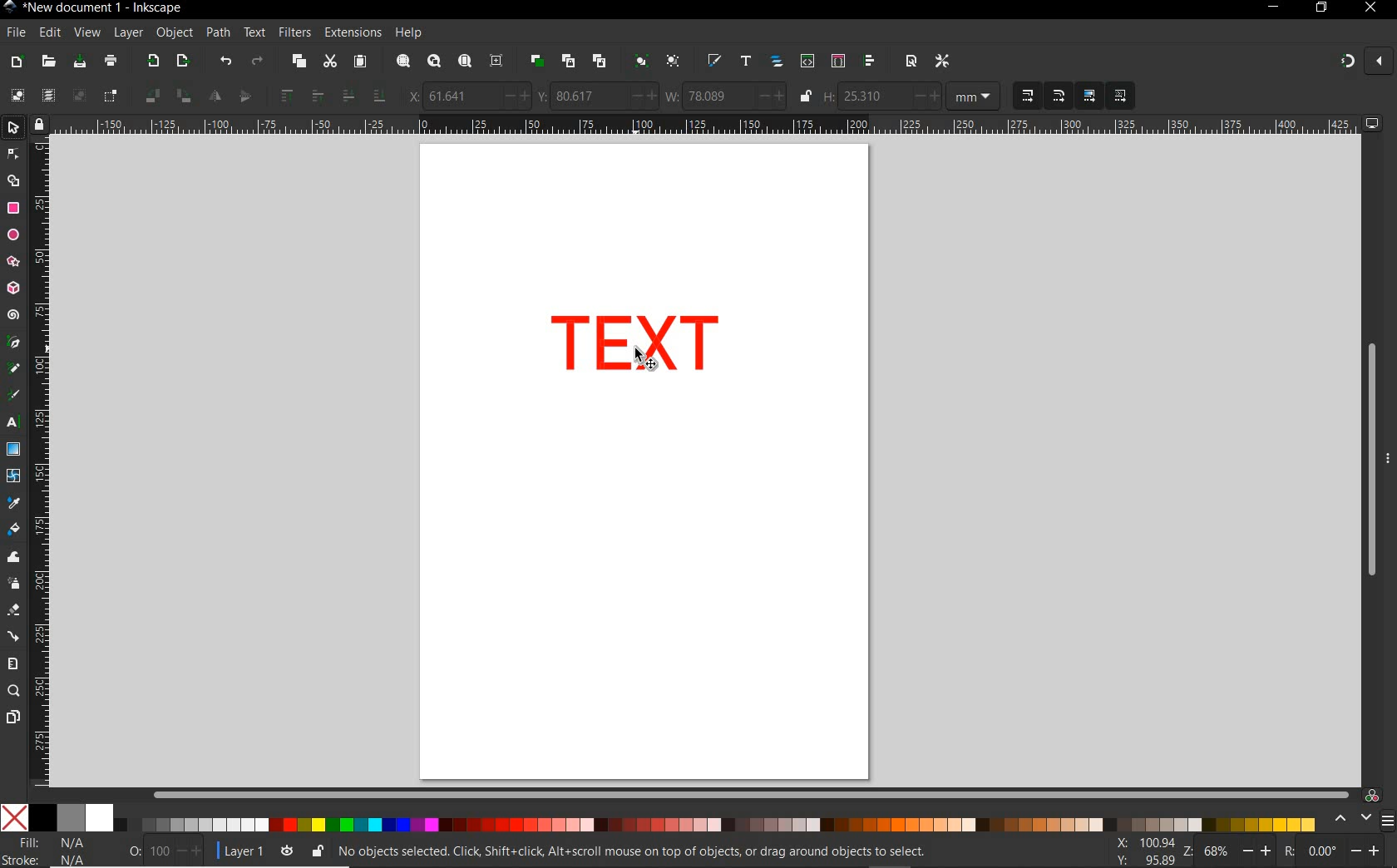  What do you see at coordinates (14, 32) in the screenshot?
I see `file` at bounding box center [14, 32].